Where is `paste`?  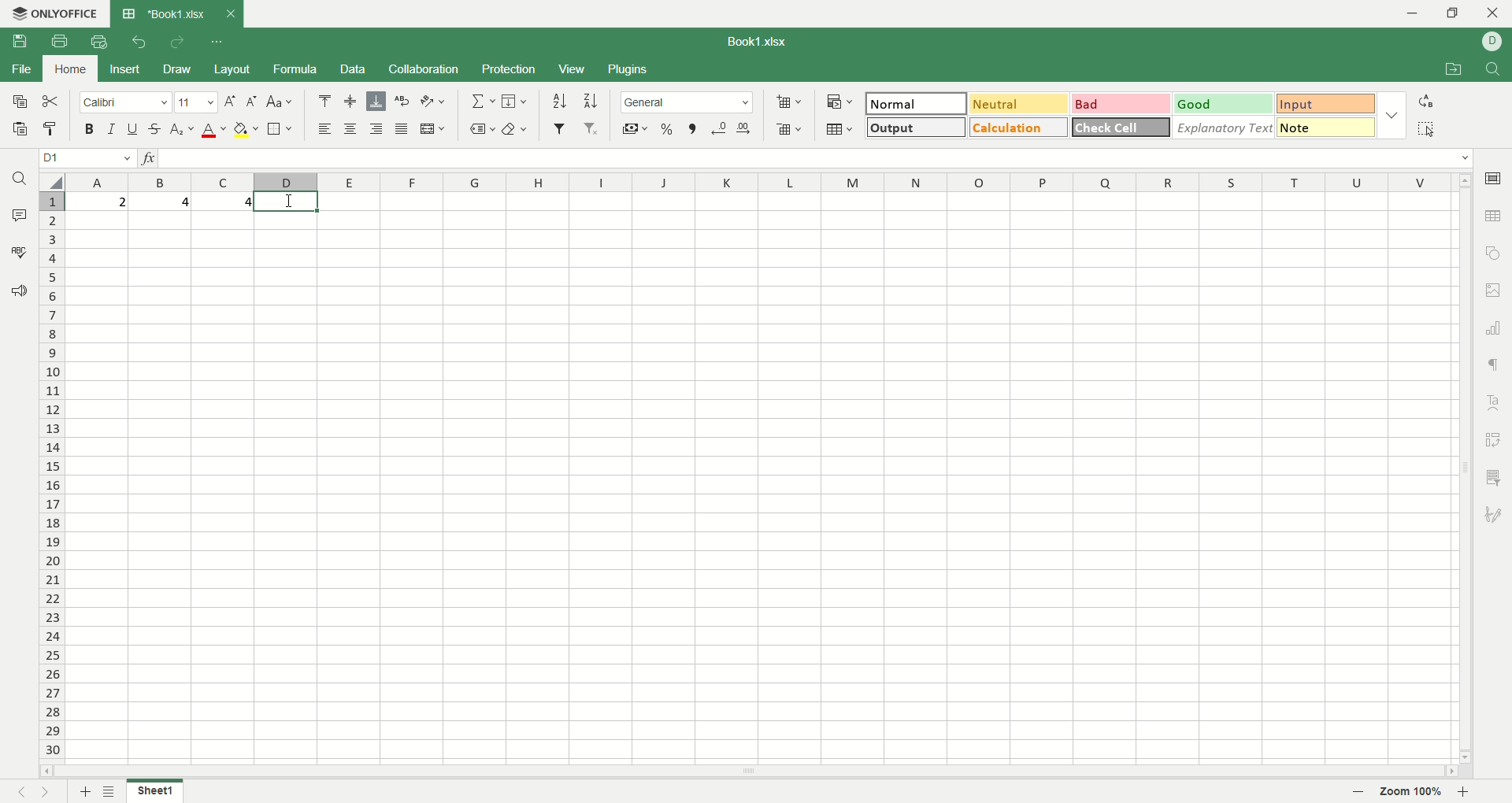 paste is located at coordinates (17, 128).